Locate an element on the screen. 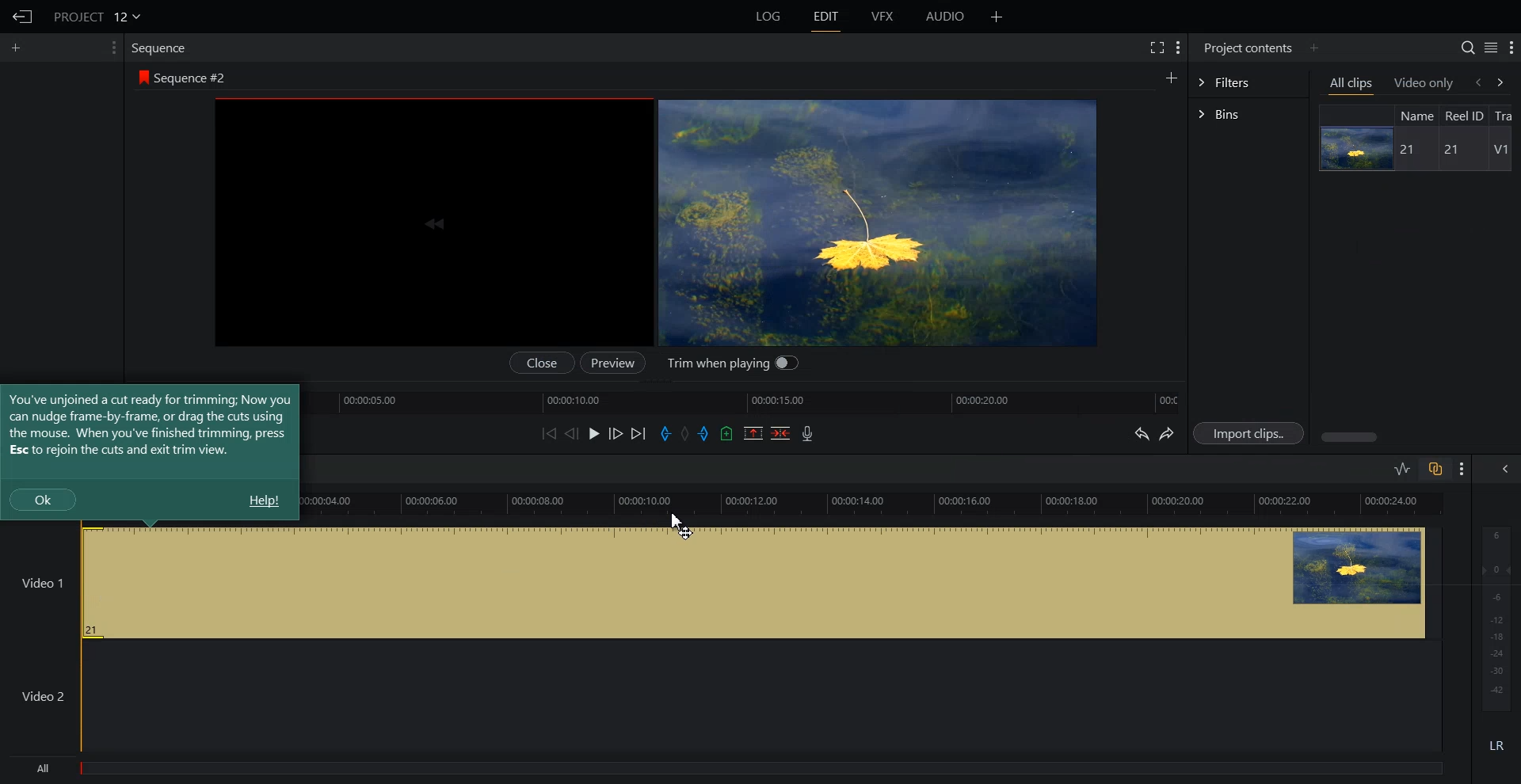  Add Panel is located at coordinates (17, 48).